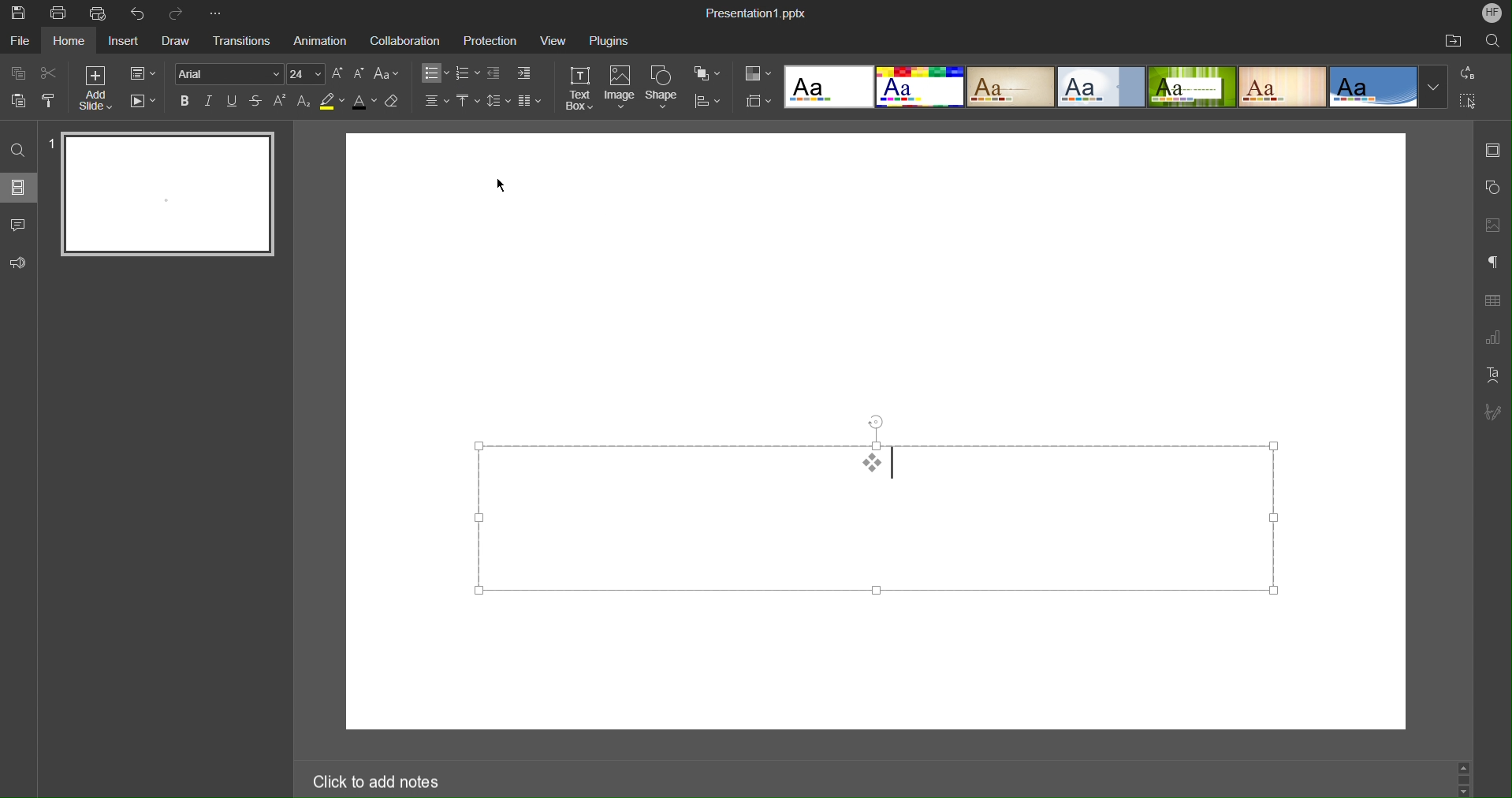  I want to click on Slide 1, so click(169, 194).